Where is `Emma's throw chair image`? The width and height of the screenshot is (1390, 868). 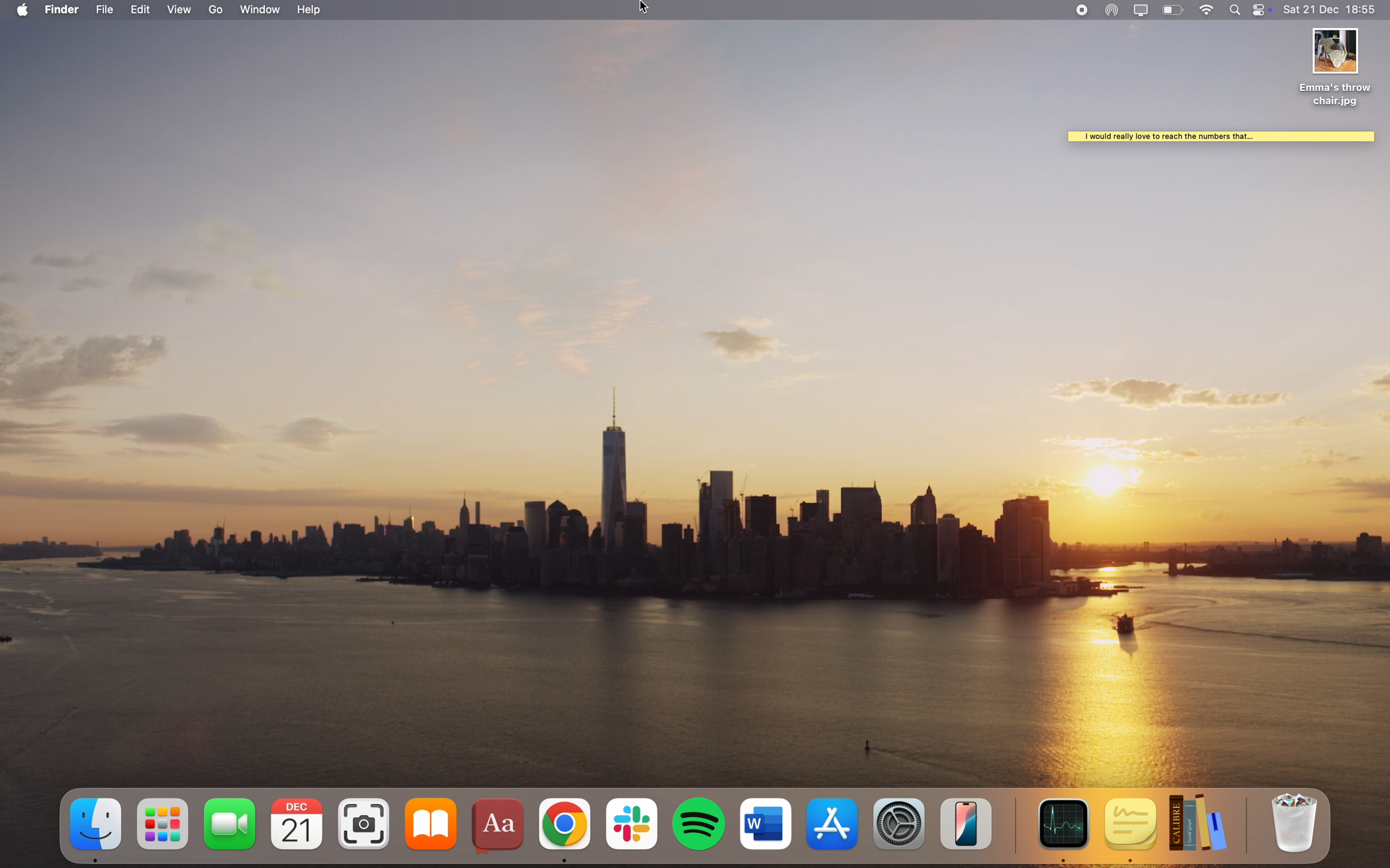 Emma's throw chair image is located at coordinates (1338, 68).